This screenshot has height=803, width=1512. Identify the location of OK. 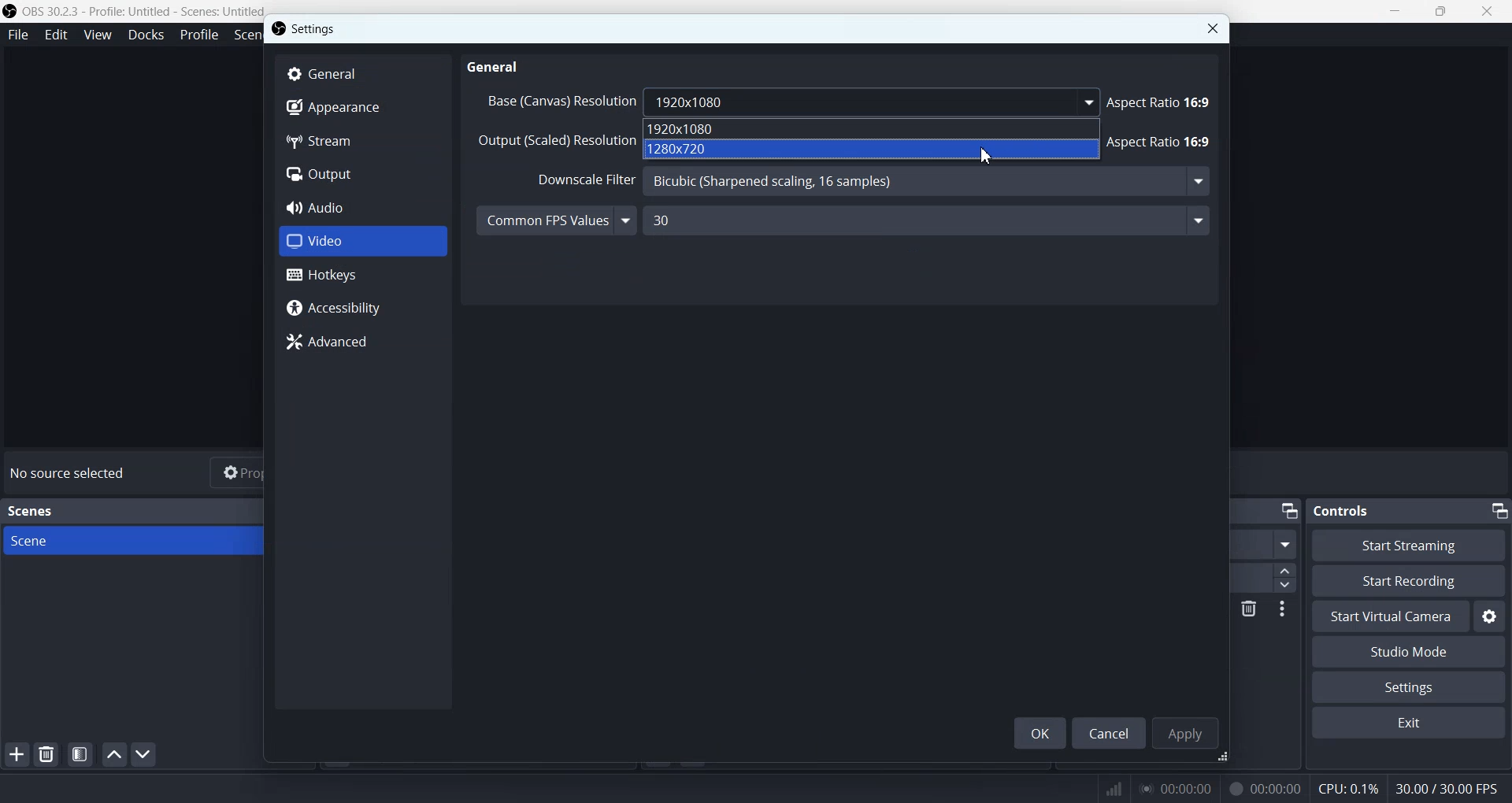
(1039, 733).